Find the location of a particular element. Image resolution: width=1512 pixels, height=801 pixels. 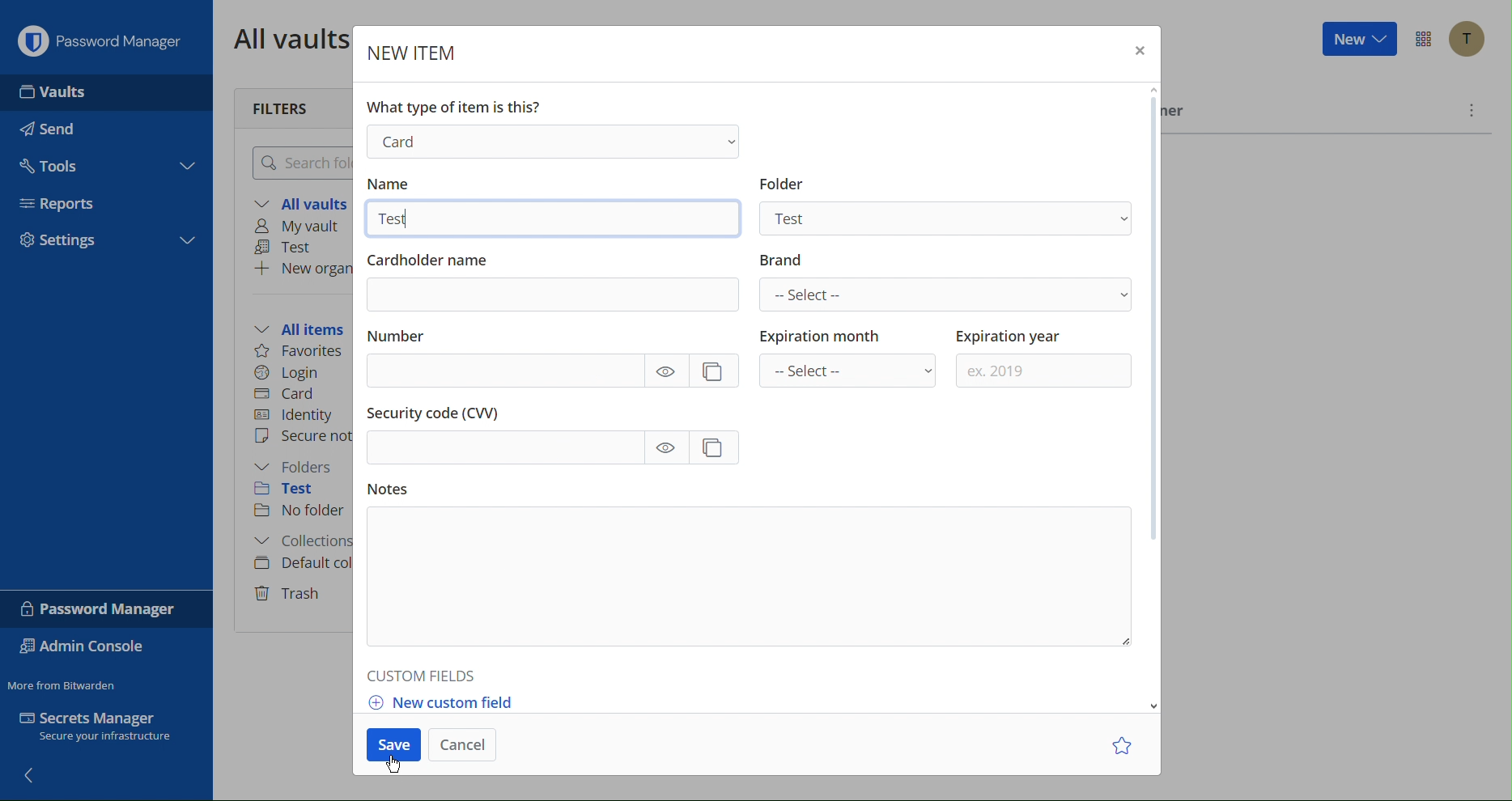

New custom field is located at coordinates (454, 703).